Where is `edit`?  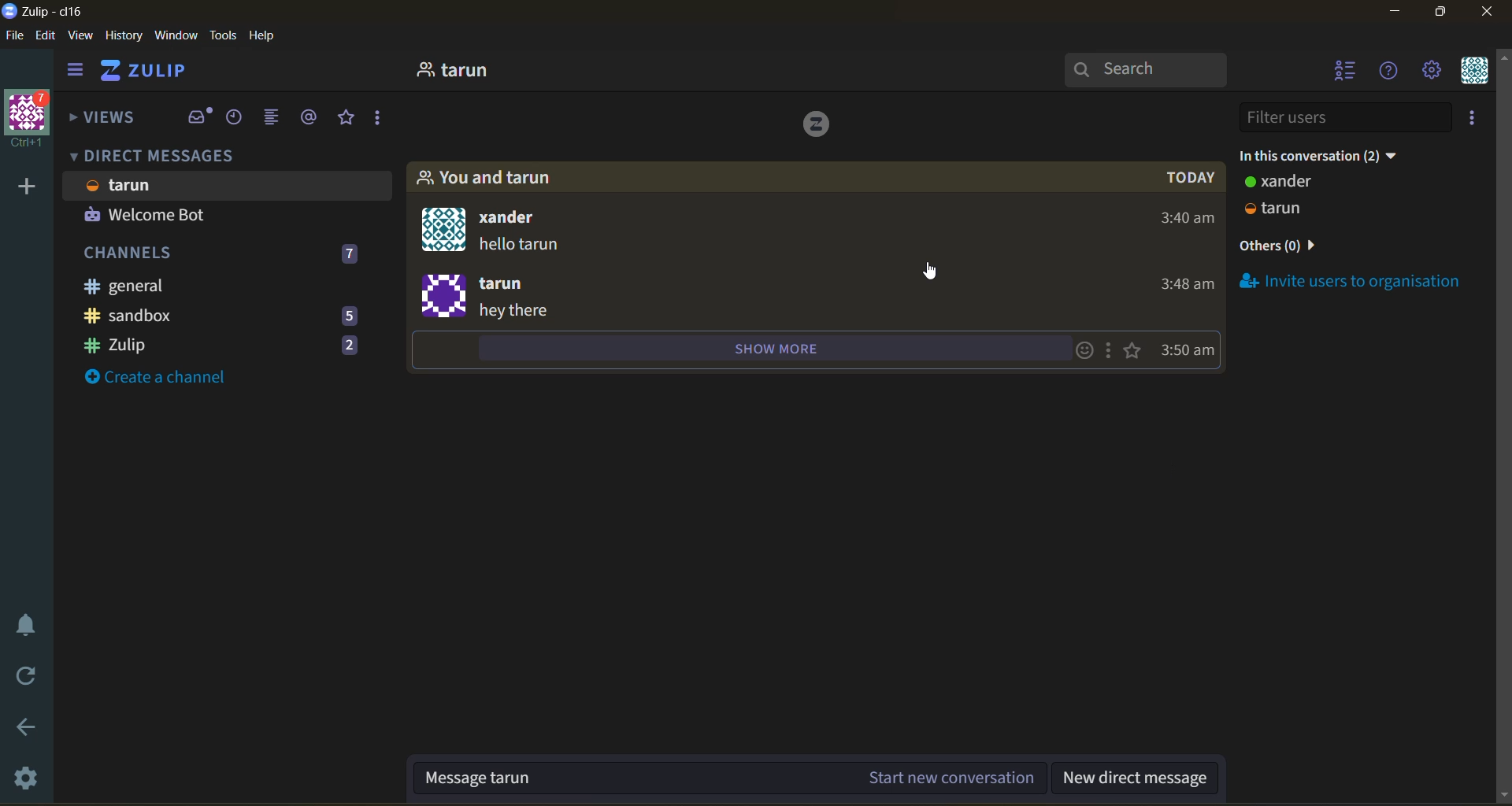 edit is located at coordinates (46, 38).